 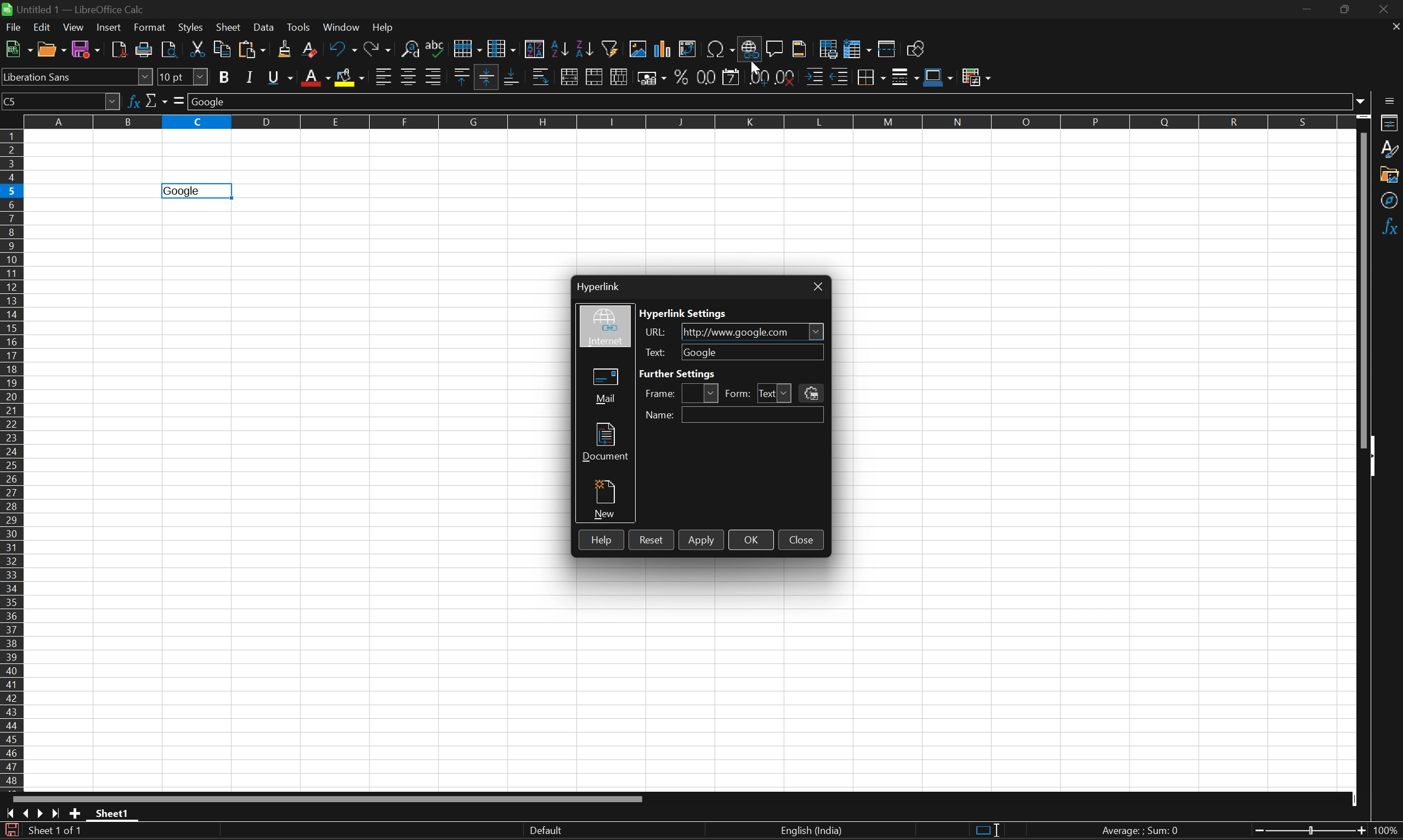 I want to click on New, so click(x=606, y=499).